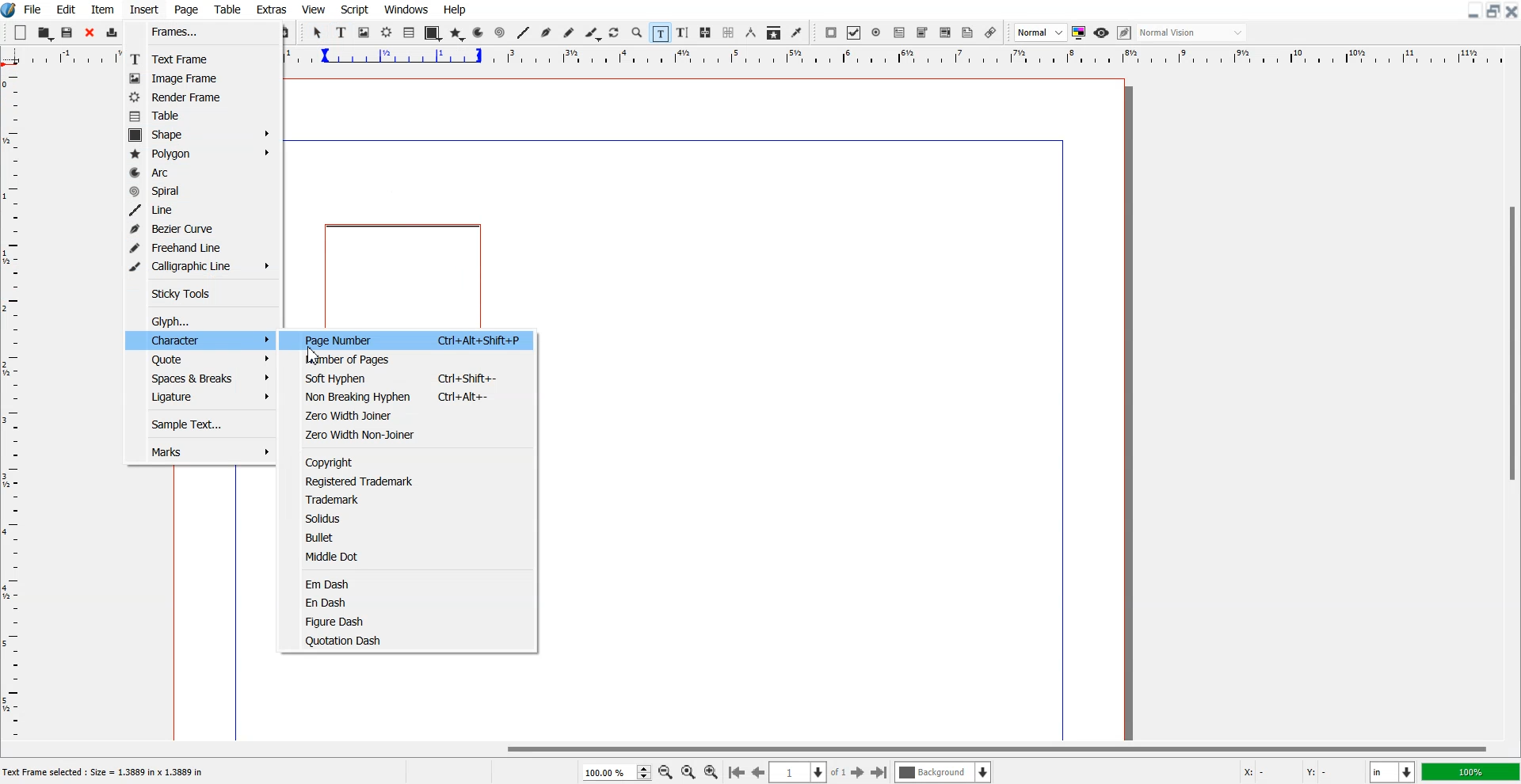  I want to click on X, Y Co-ordinate, so click(1298, 773).